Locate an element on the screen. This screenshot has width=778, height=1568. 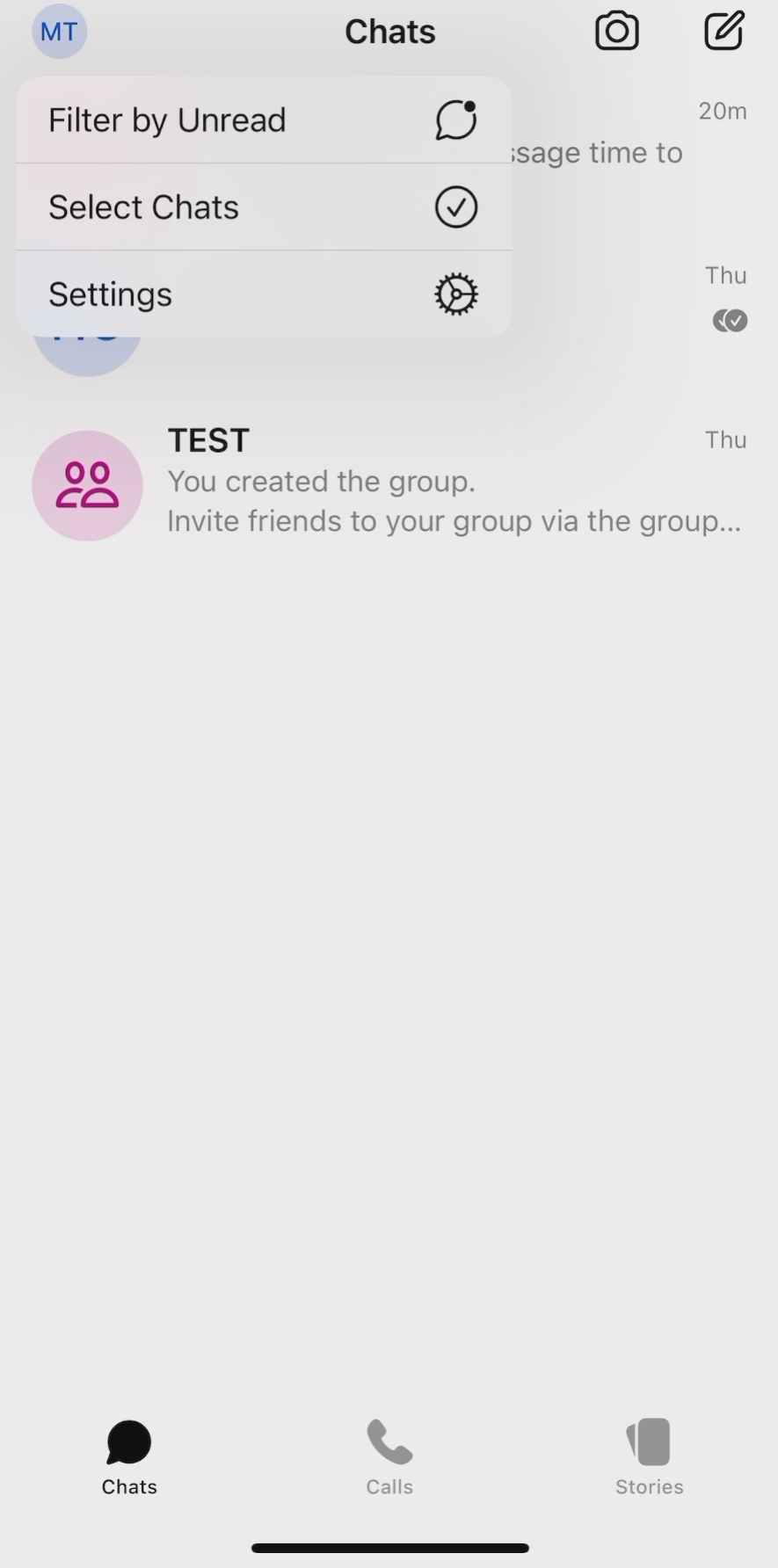
half circle is located at coordinates (88, 362).